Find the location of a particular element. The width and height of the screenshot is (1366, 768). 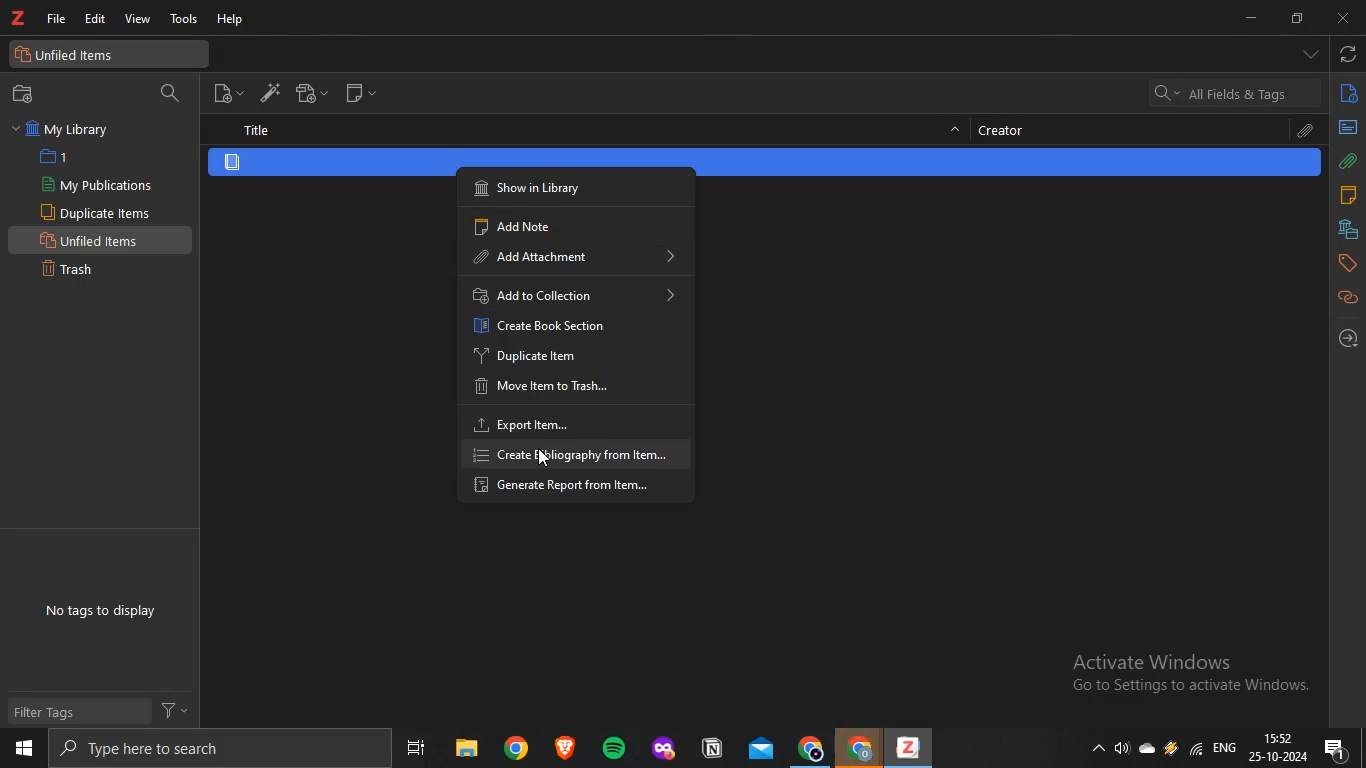

My Library is located at coordinates (64, 129).